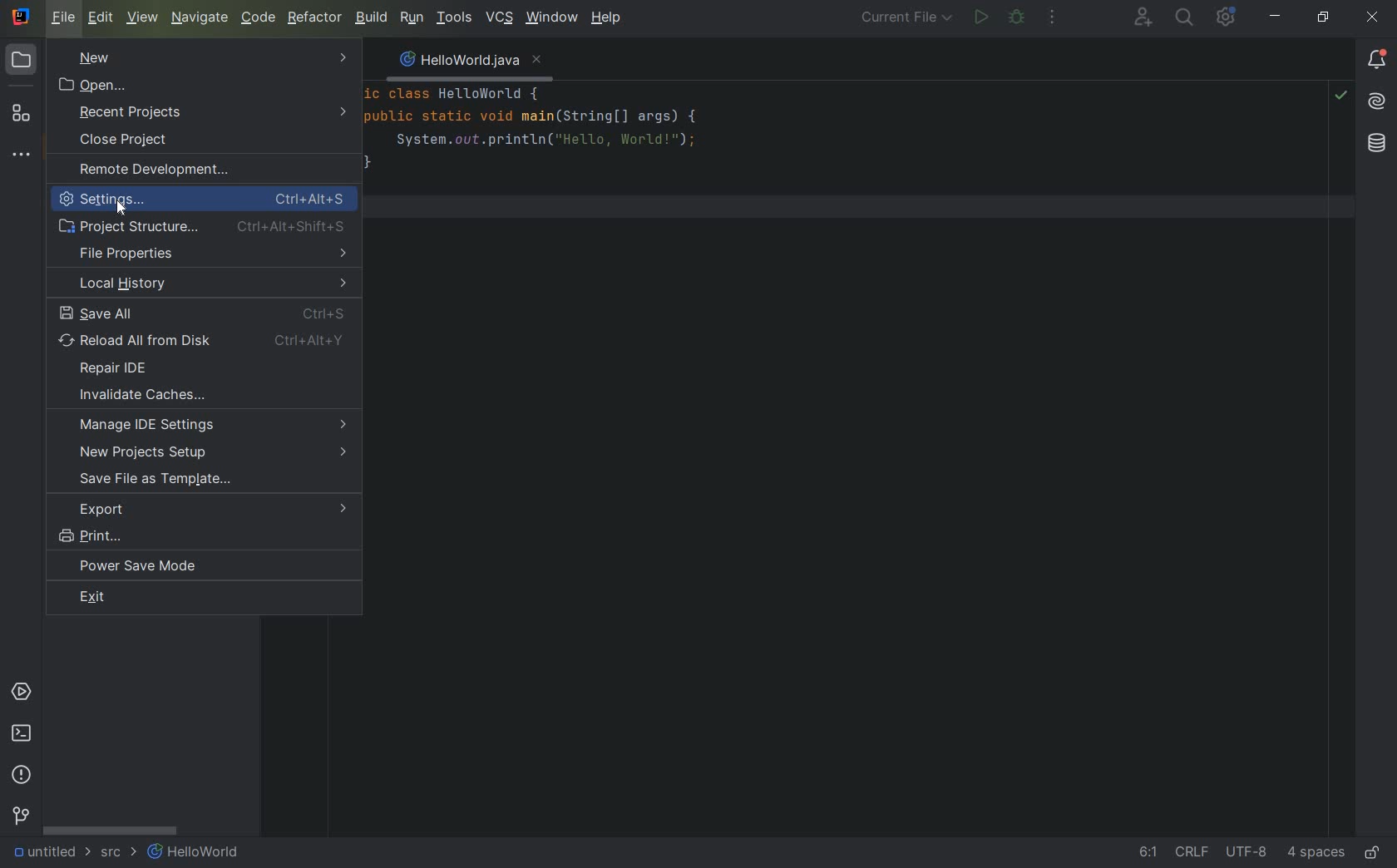 The height and width of the screenshot is (868, 1397). I want to click on manage IDE Settings, so click(214, 426).